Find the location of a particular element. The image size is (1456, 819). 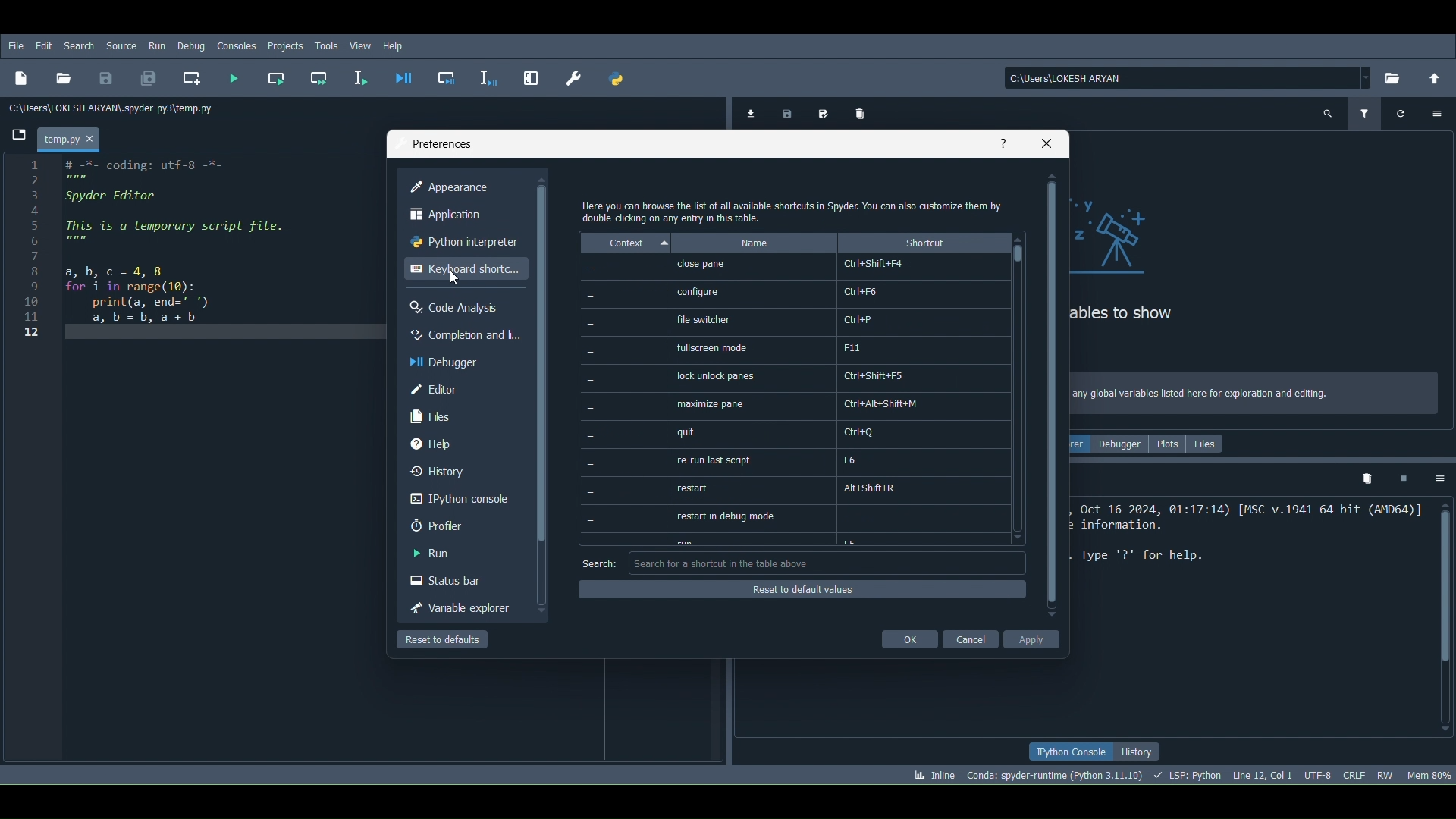

Save data is located at coordinates (785, 111).